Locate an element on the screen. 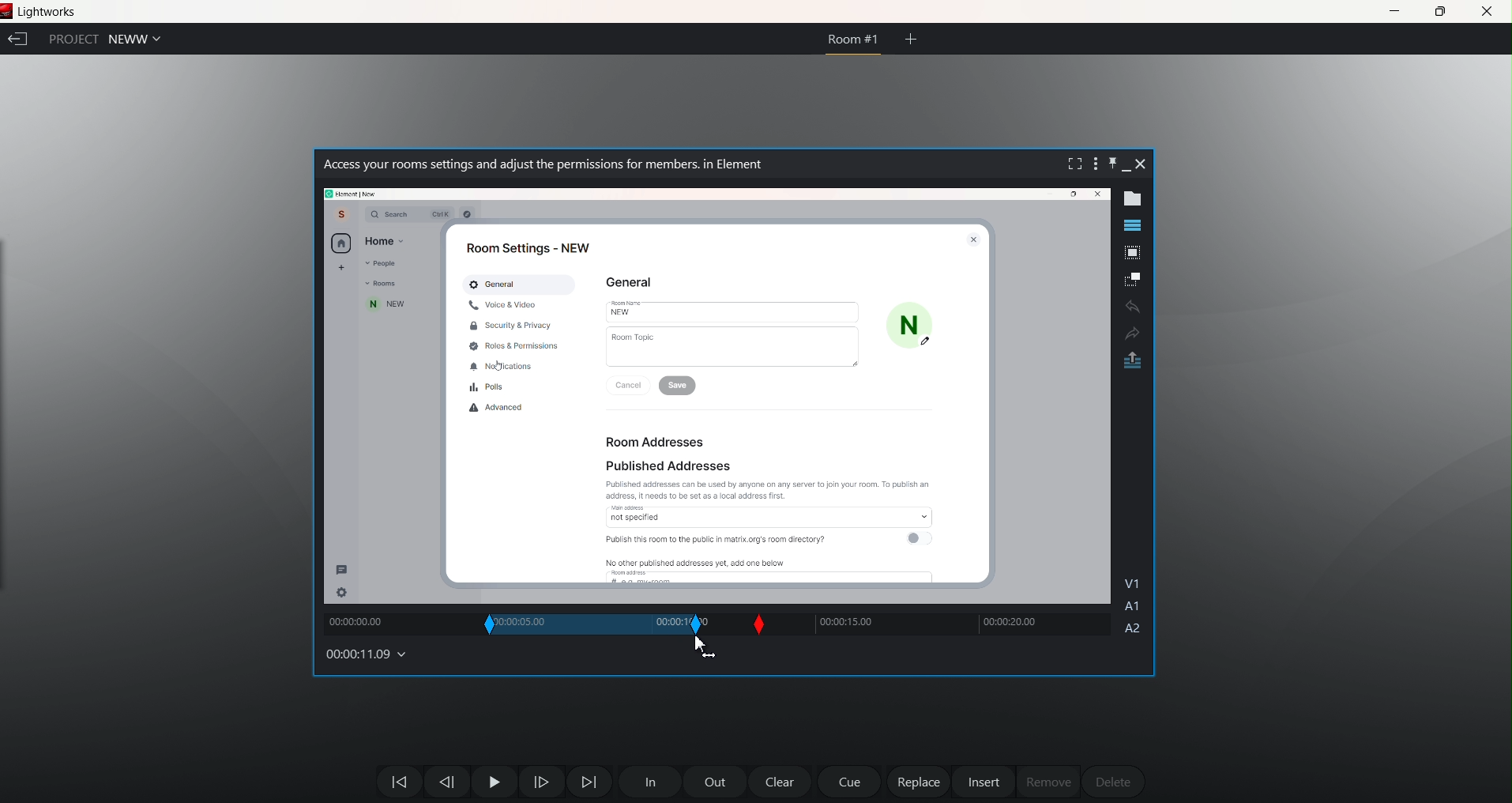 This screenshot has height=803, width=1512. Published addresses can be used by anyone on any server to join your room. To publish an address. It needs to be set as a local address first. is located at coordinates (769, 489).